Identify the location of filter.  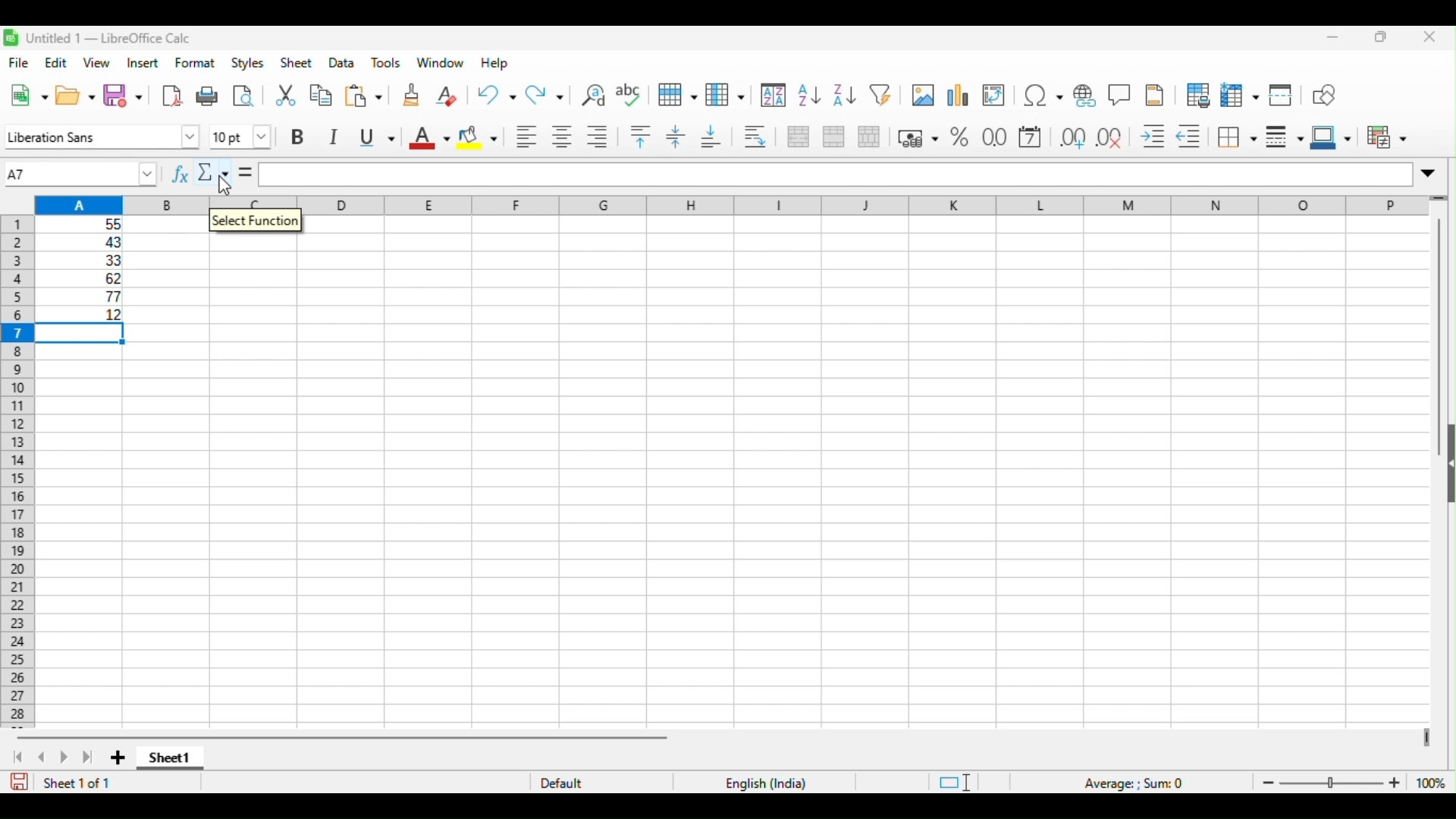
(882, 95).